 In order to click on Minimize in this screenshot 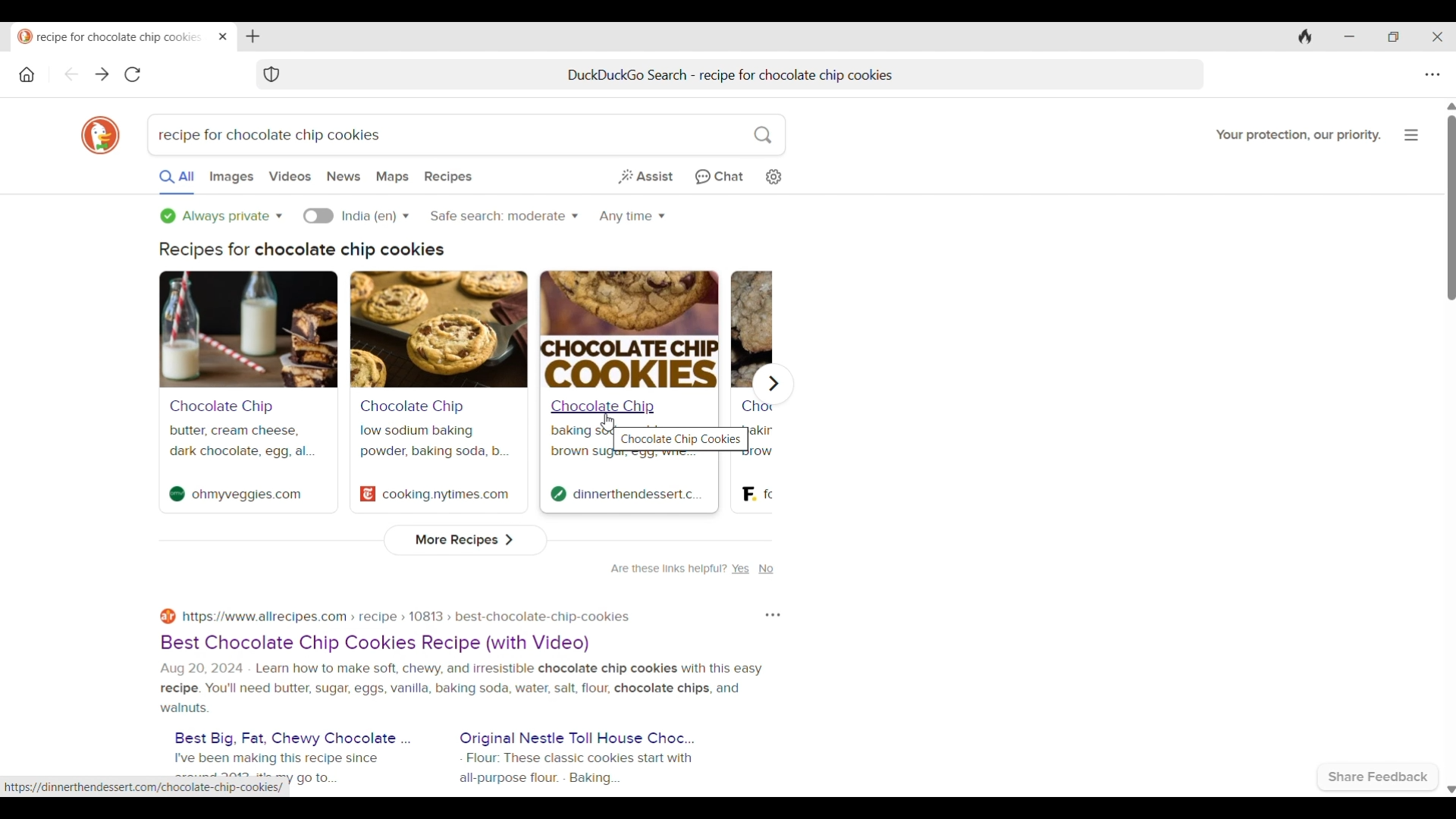, I will do `click(1346, 37)`.